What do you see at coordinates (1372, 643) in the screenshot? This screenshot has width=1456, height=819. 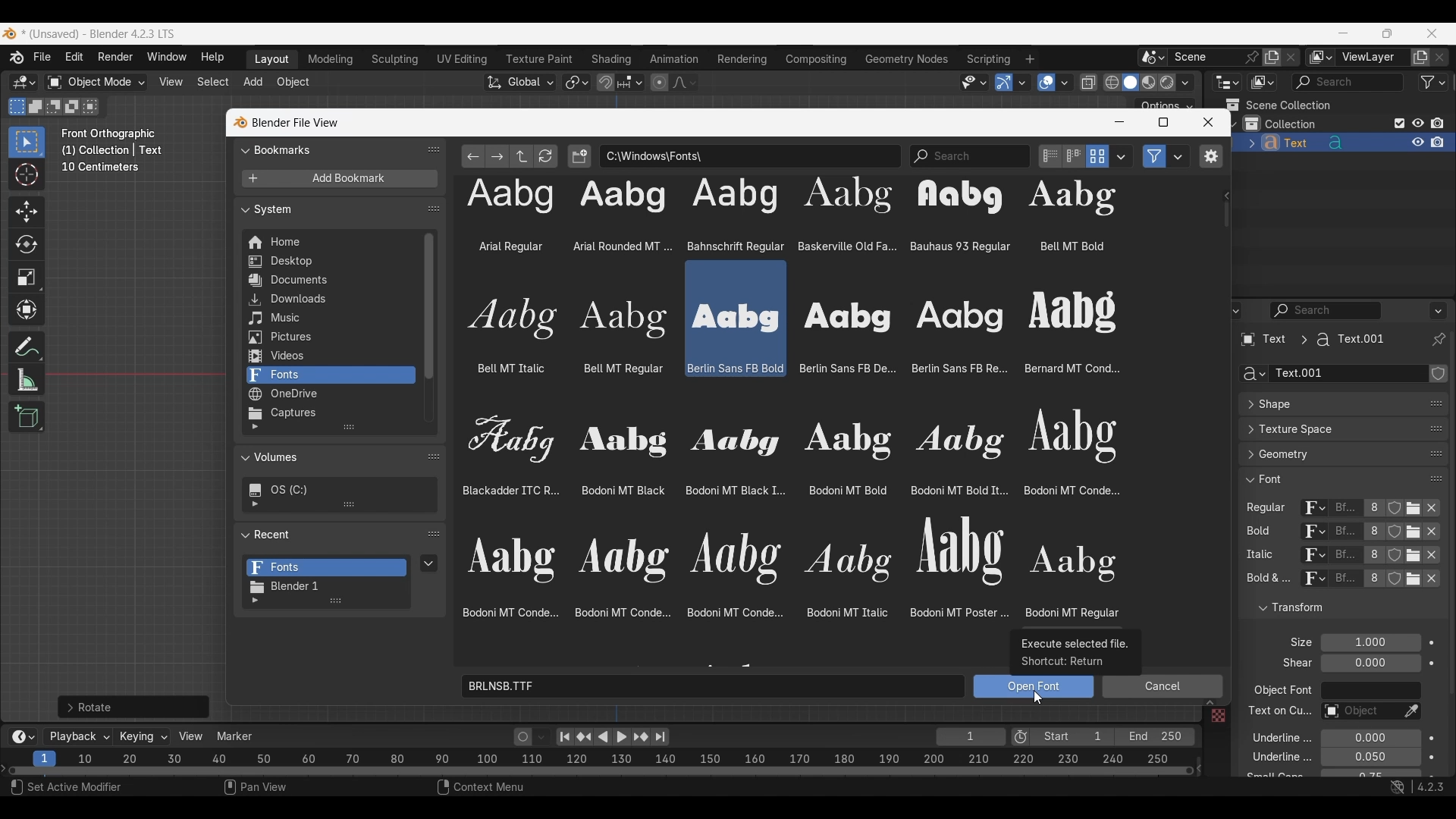 I see `Font size` at bounding box center [1372, 643].